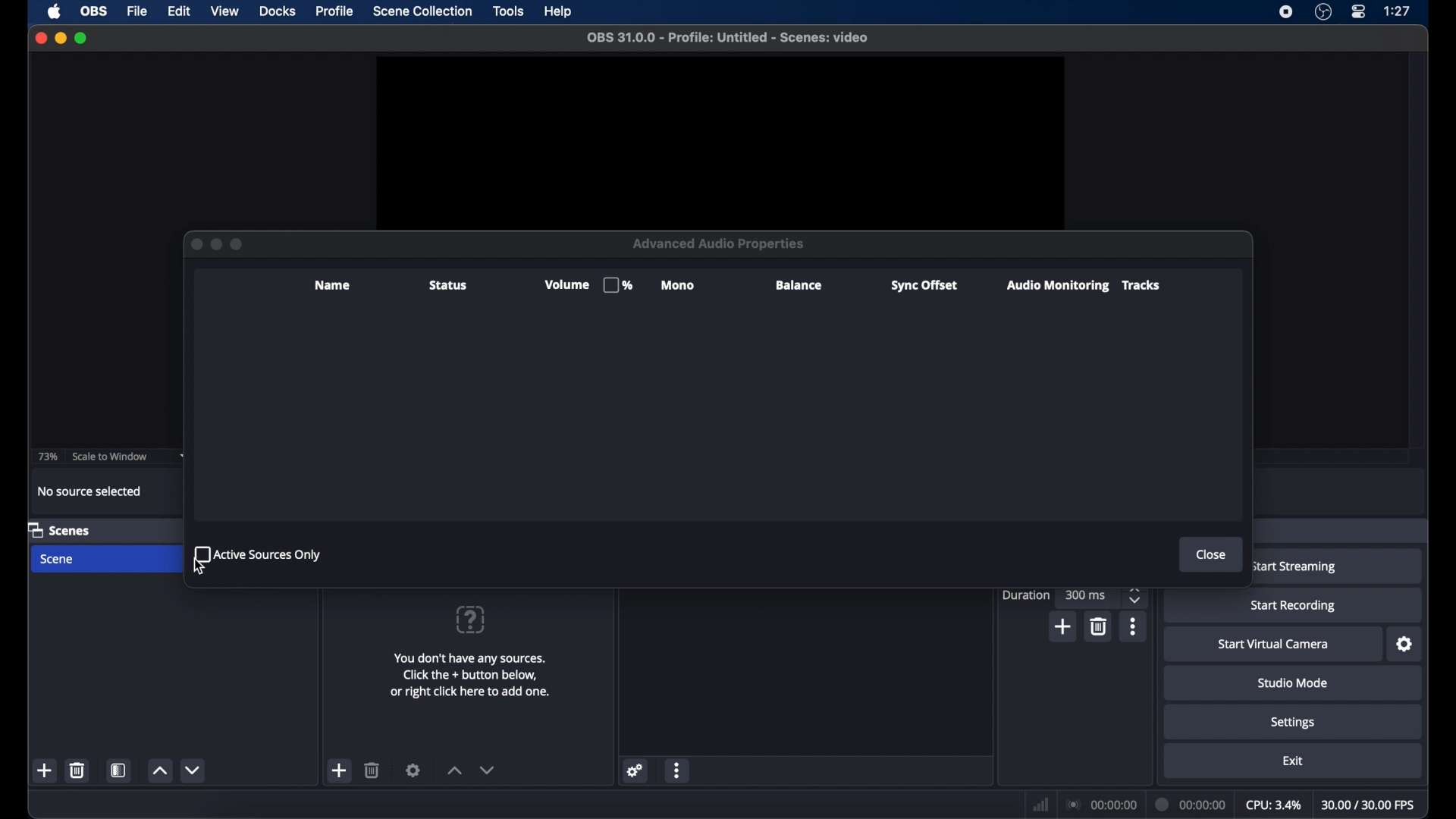 This screenshot has height=819, width=1456. Describe the element at coordinates (800, 285) in the screenshot. I see `balance` at that location.